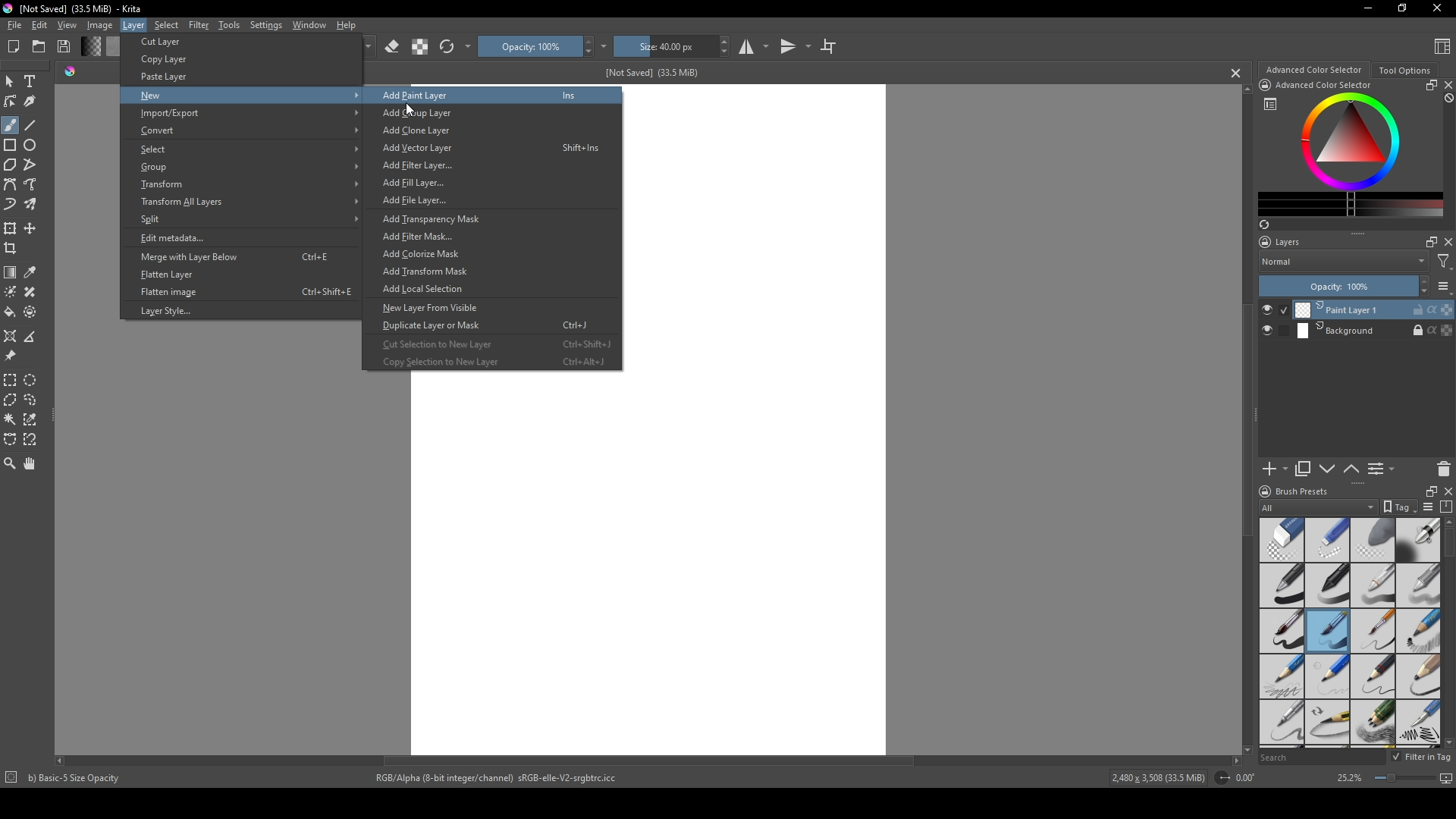  Describe the element at coordinates (1326, 539) in the screenshot. I see `hard eraser` at that location.